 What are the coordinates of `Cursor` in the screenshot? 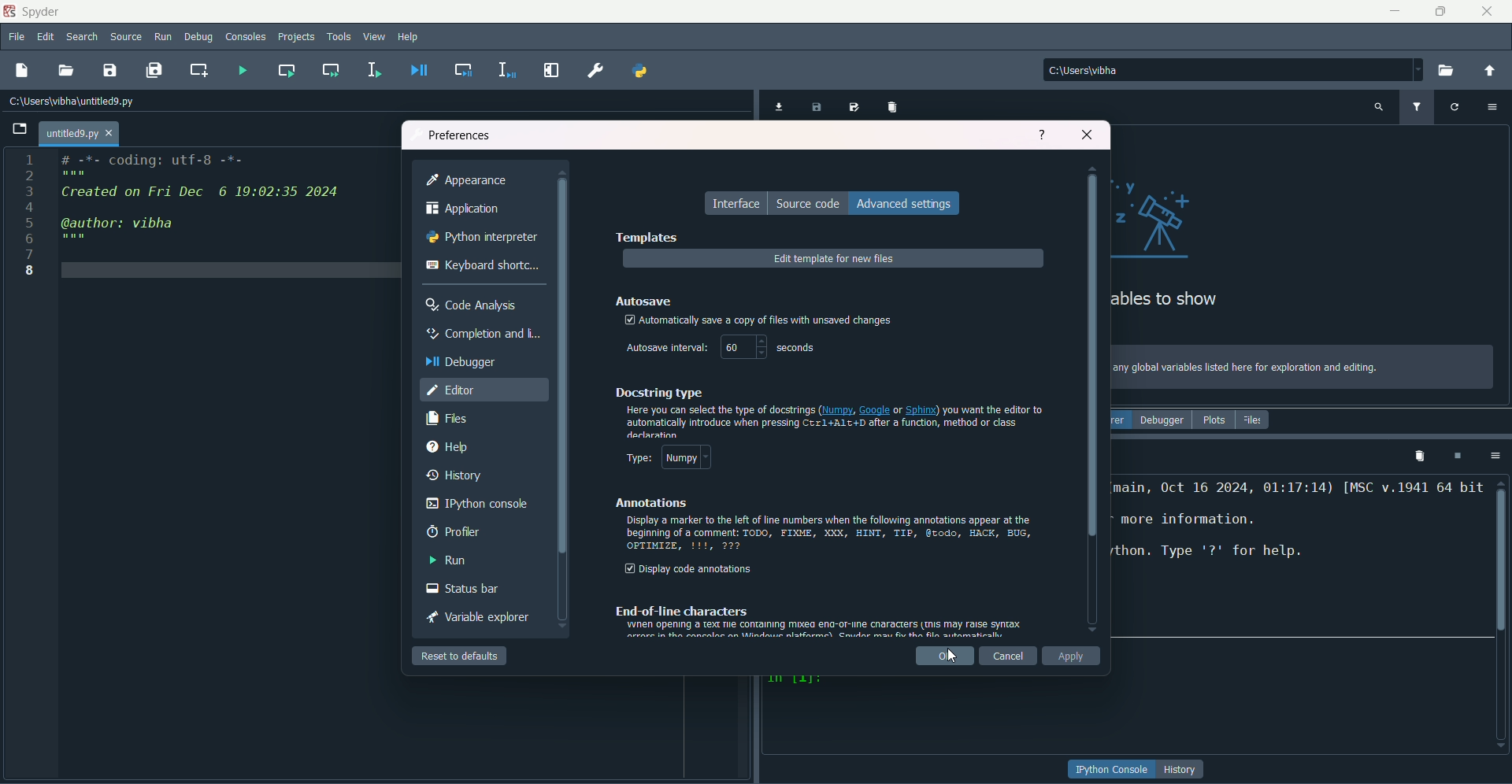 It's located at (951, 658).